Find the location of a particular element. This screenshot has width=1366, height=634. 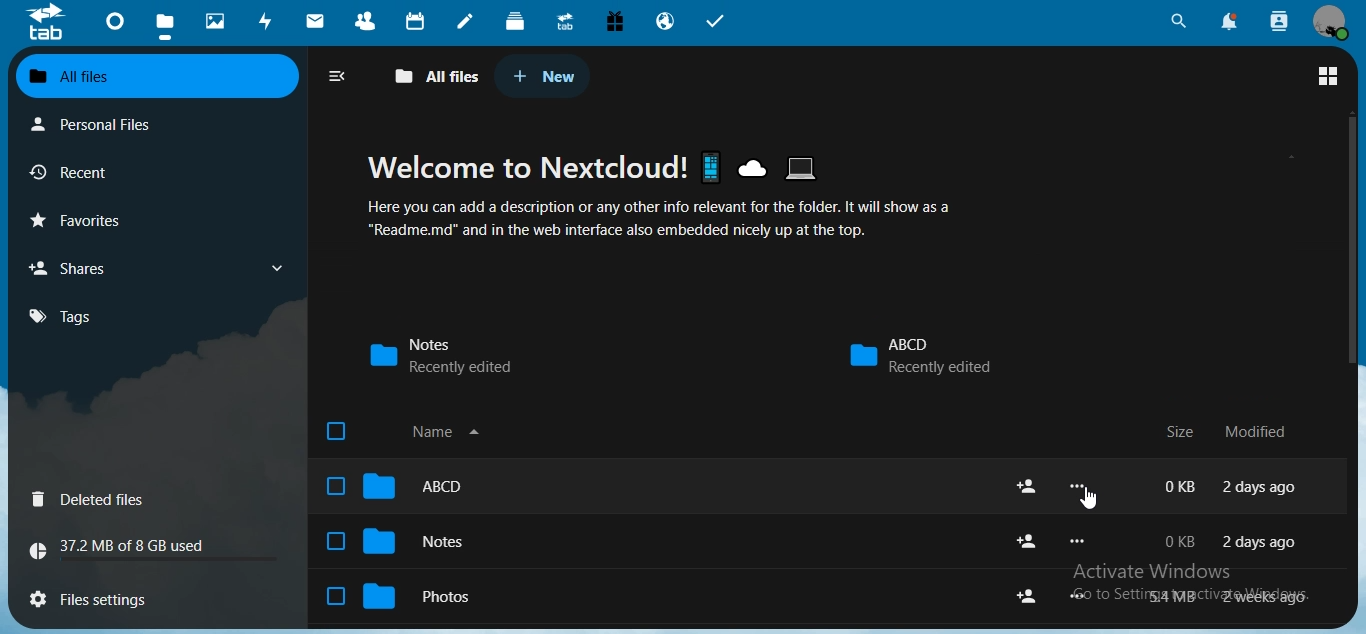

email hosting is located at coordinates (665, 22).